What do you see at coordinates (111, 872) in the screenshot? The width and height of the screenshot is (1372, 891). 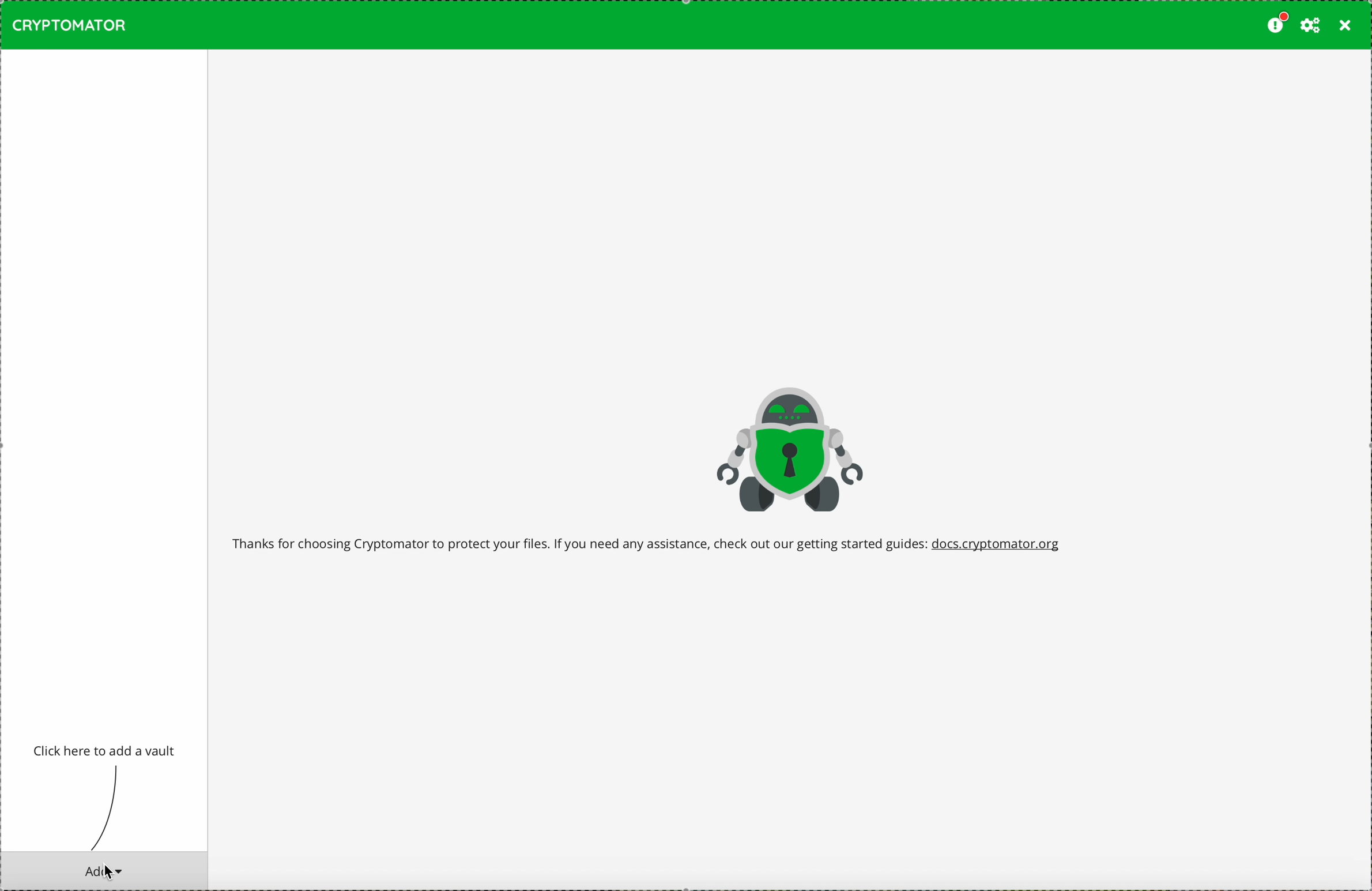 I see `mouse pointer` at bounding box center [111, 872].